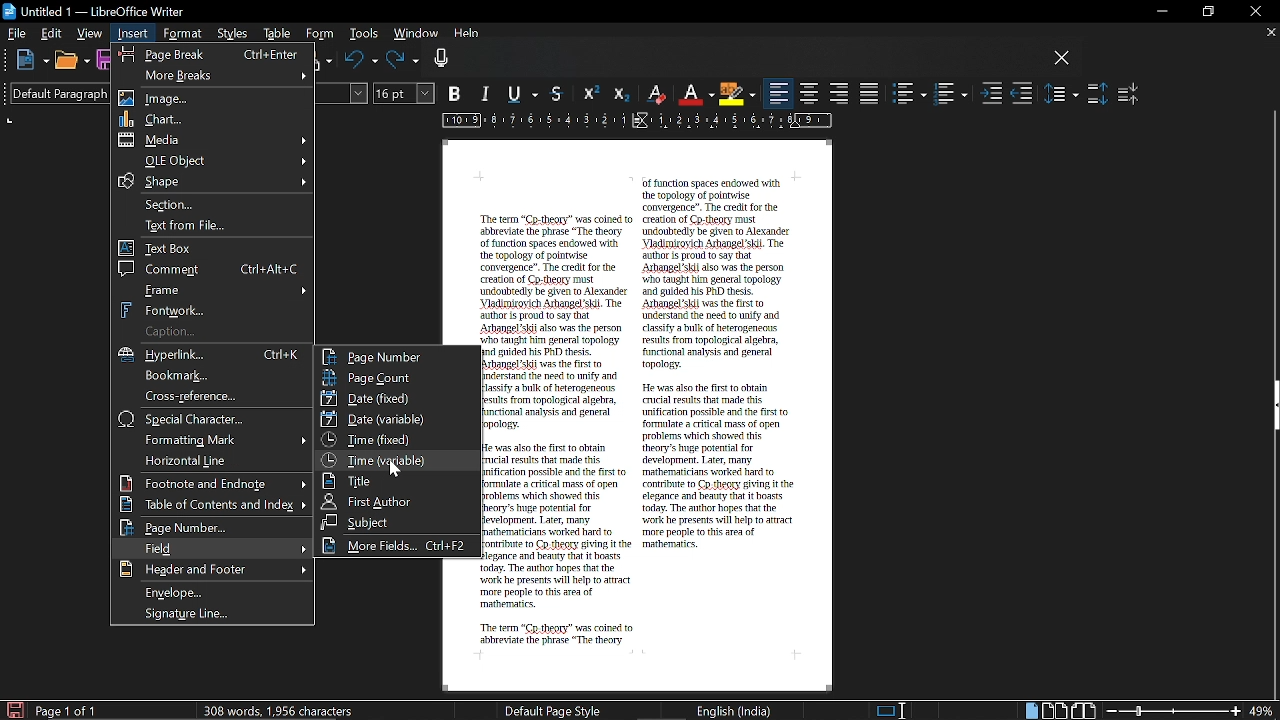  I want to click on Form, so click(320, 34).